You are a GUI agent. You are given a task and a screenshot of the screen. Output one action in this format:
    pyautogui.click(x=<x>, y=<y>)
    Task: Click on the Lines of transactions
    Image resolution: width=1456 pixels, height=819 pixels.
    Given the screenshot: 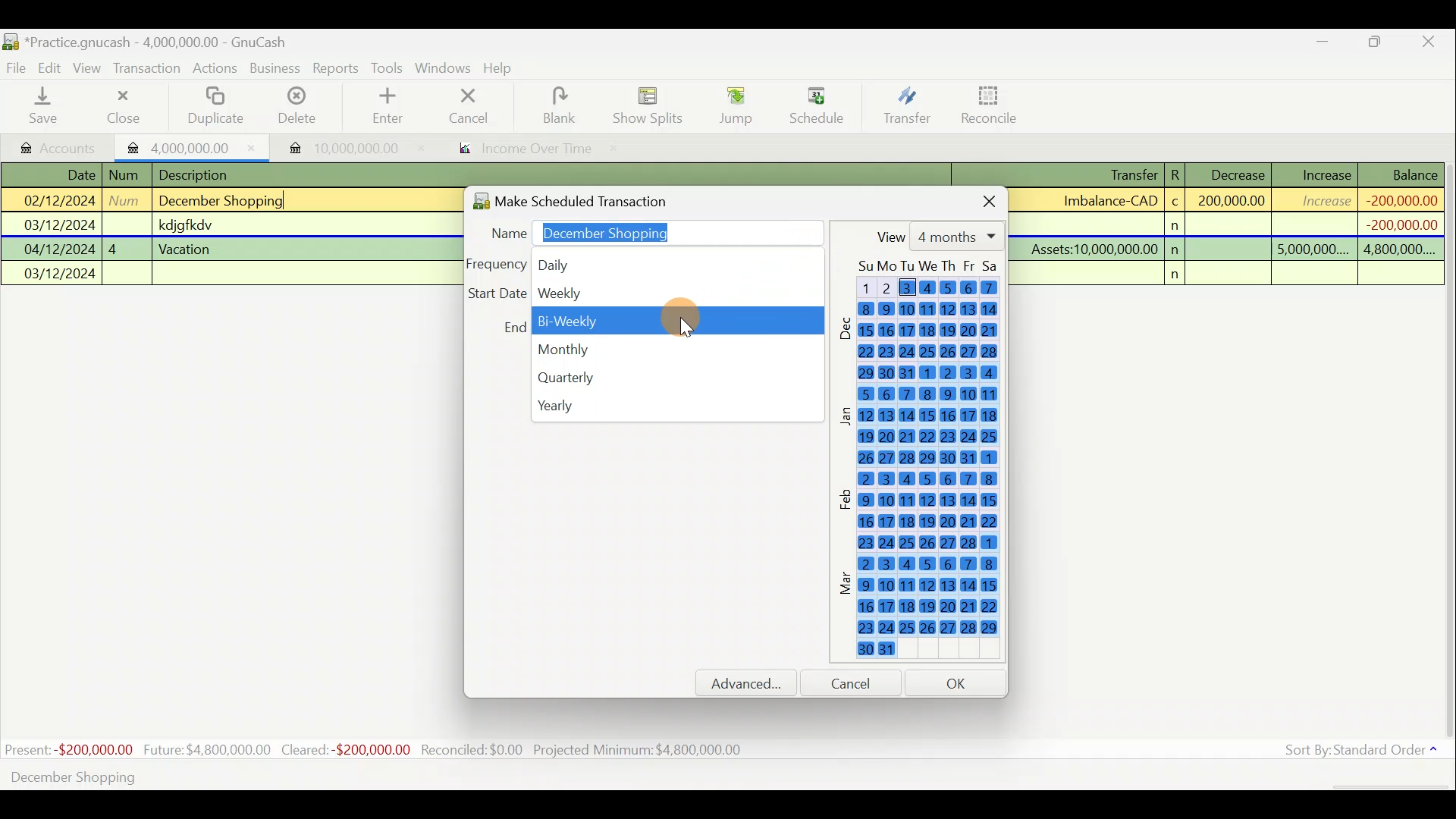 What is the action you would take?
    pyautogui.click(x=187, y=227)
    